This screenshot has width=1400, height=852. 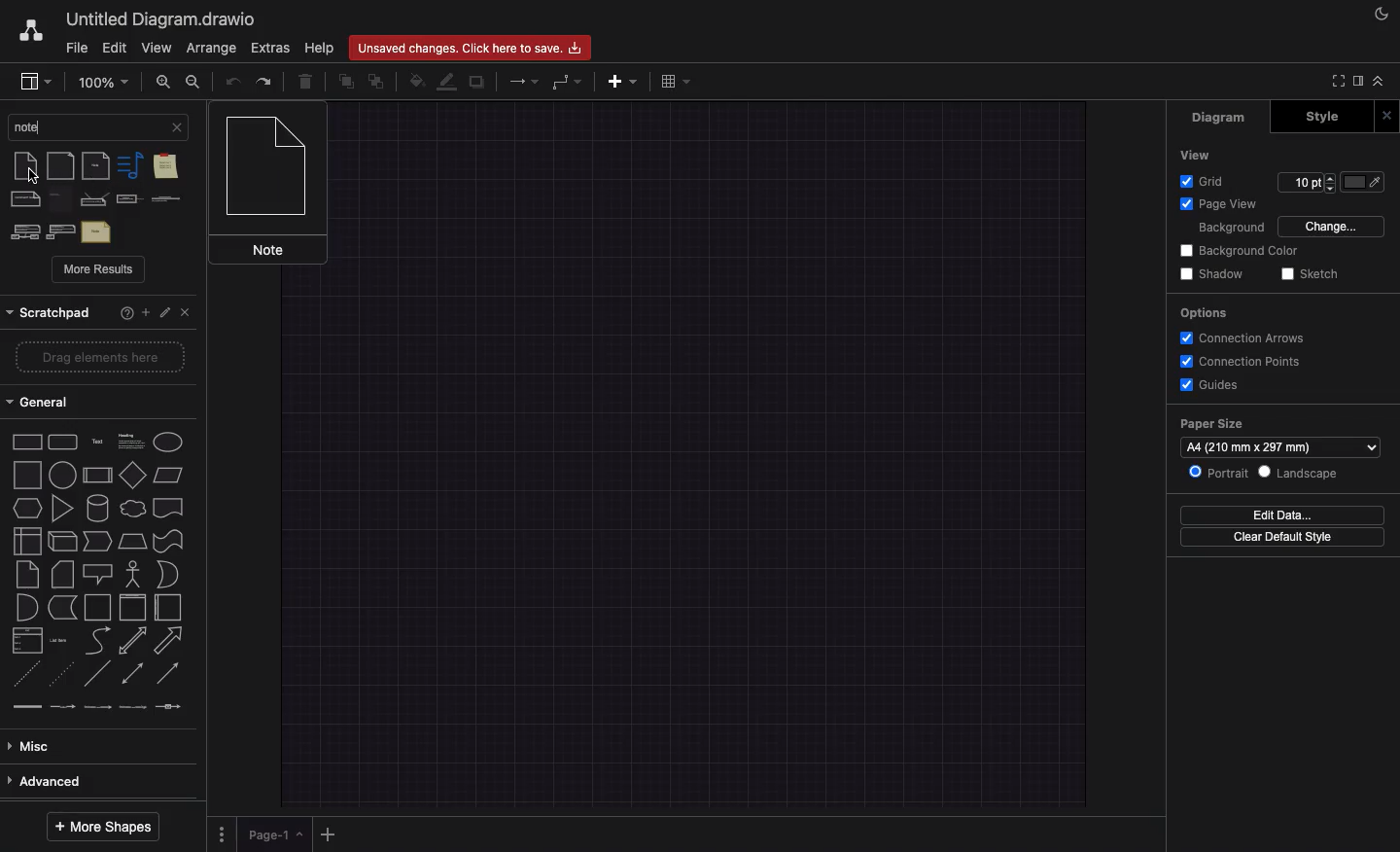 What do you see at coordinates (1332, 178) in the screenshot?
I see `increase grid pt` at bounding box center [1332, 178].